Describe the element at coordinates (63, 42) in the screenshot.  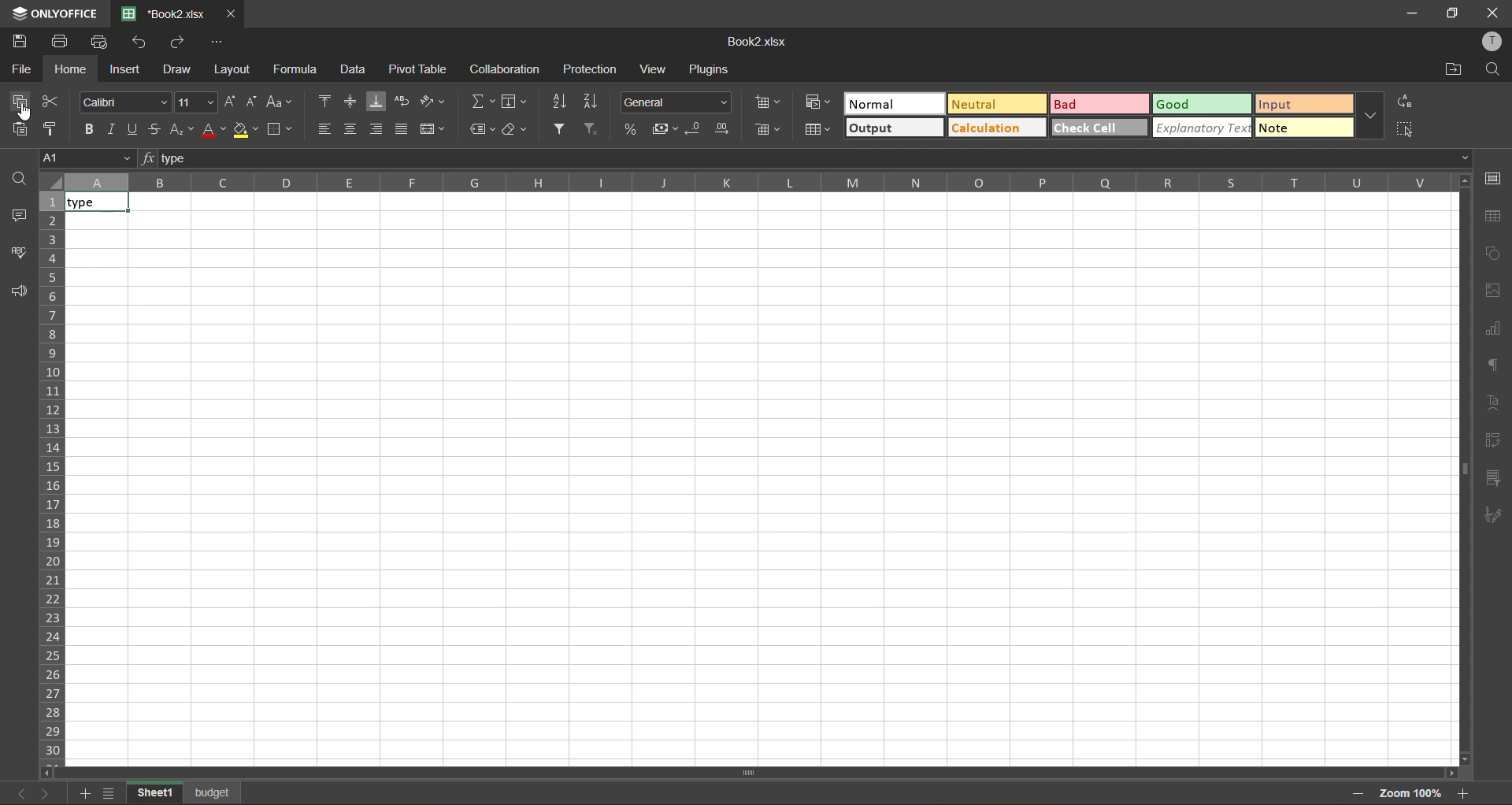
I see `print` at that location.